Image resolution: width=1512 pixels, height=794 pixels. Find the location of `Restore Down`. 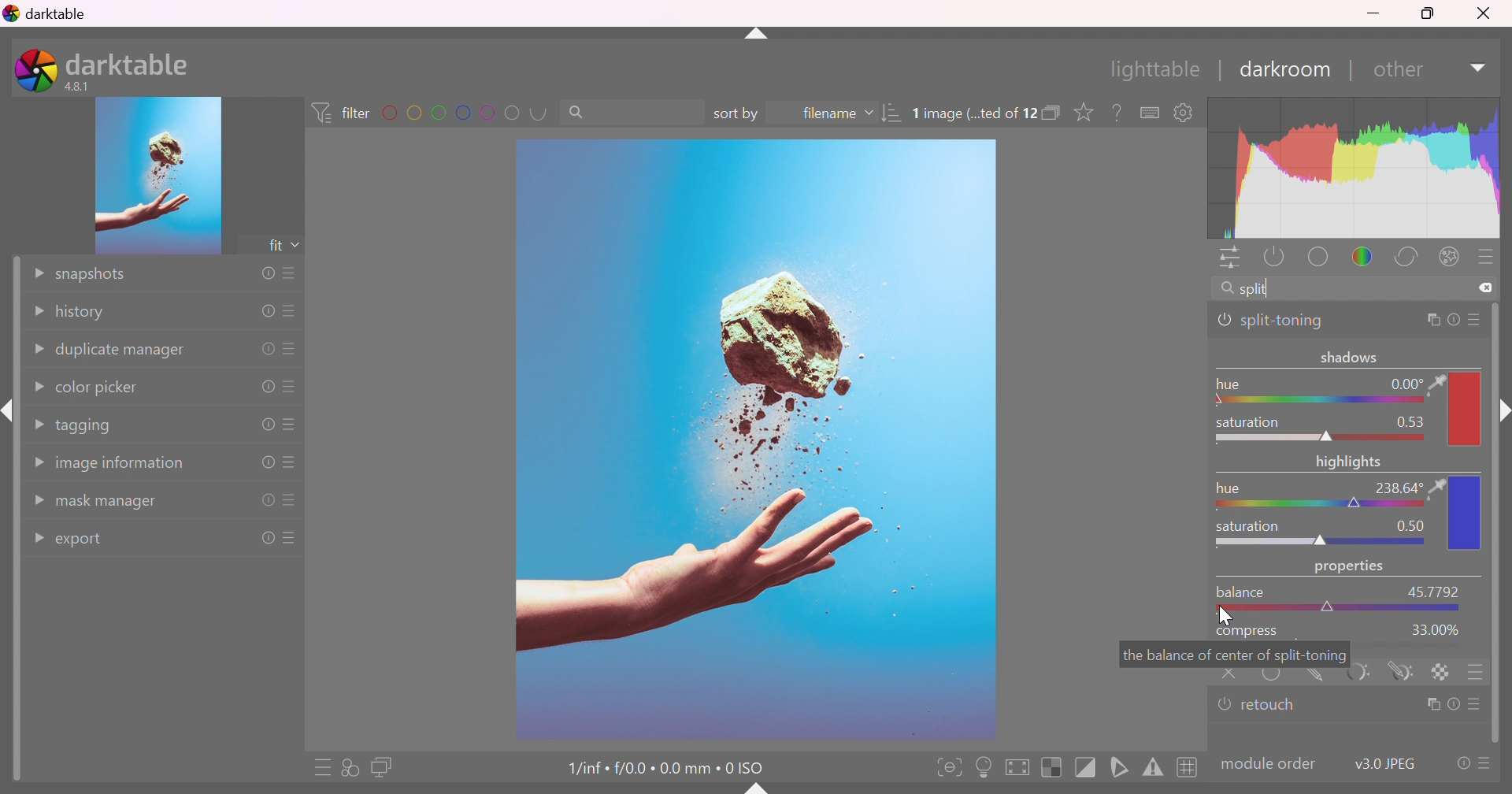

Restore Down is located at coordinates (1431, 14).